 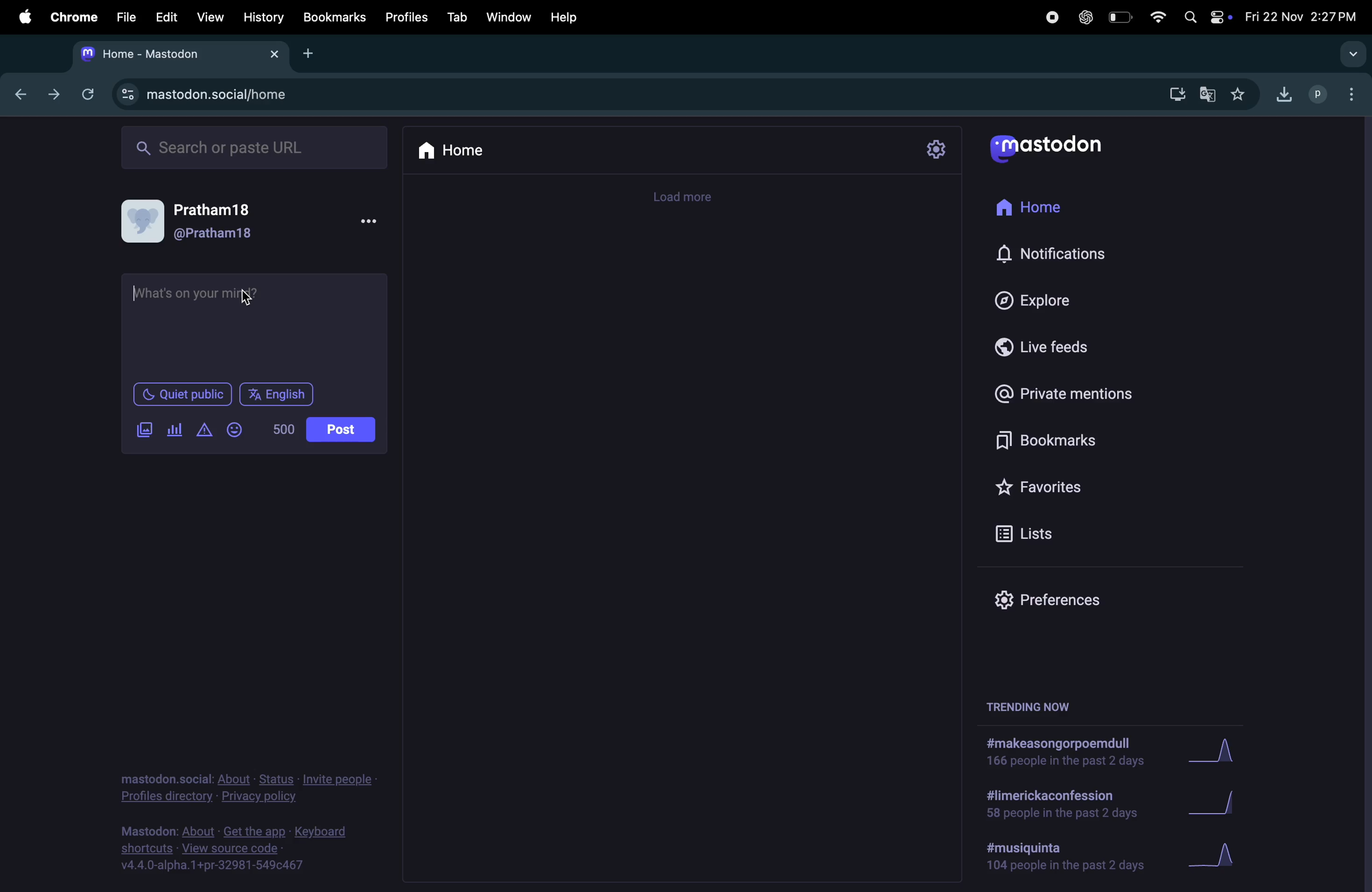 What do you see at coordinates (1239, 95) in the screenshot?
I see `favourites` at bounding box center [1239, 95].